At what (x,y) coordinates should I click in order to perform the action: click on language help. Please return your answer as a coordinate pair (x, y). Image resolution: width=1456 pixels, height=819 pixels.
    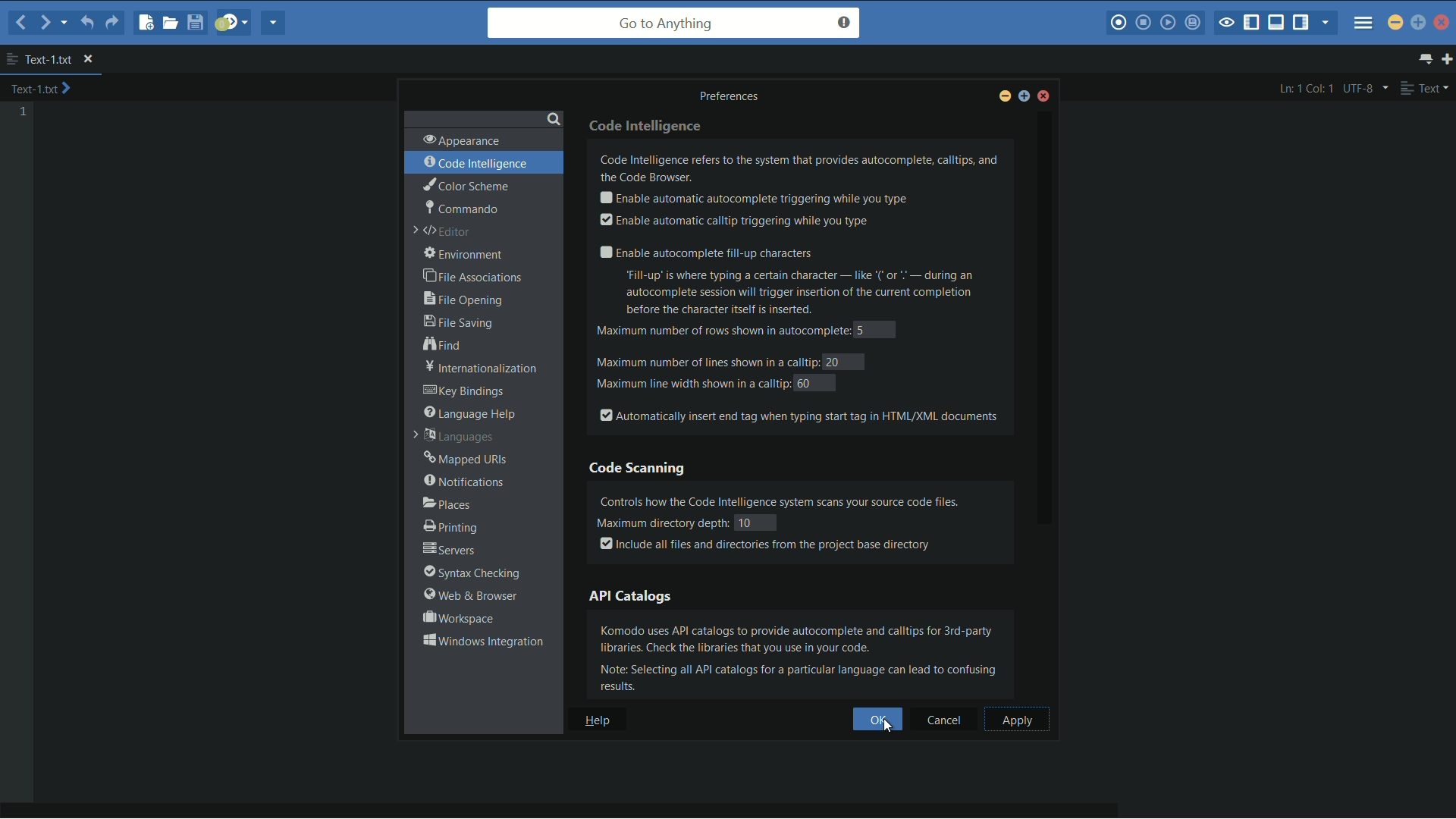
    Looking at the image, I should click on (470, 413).